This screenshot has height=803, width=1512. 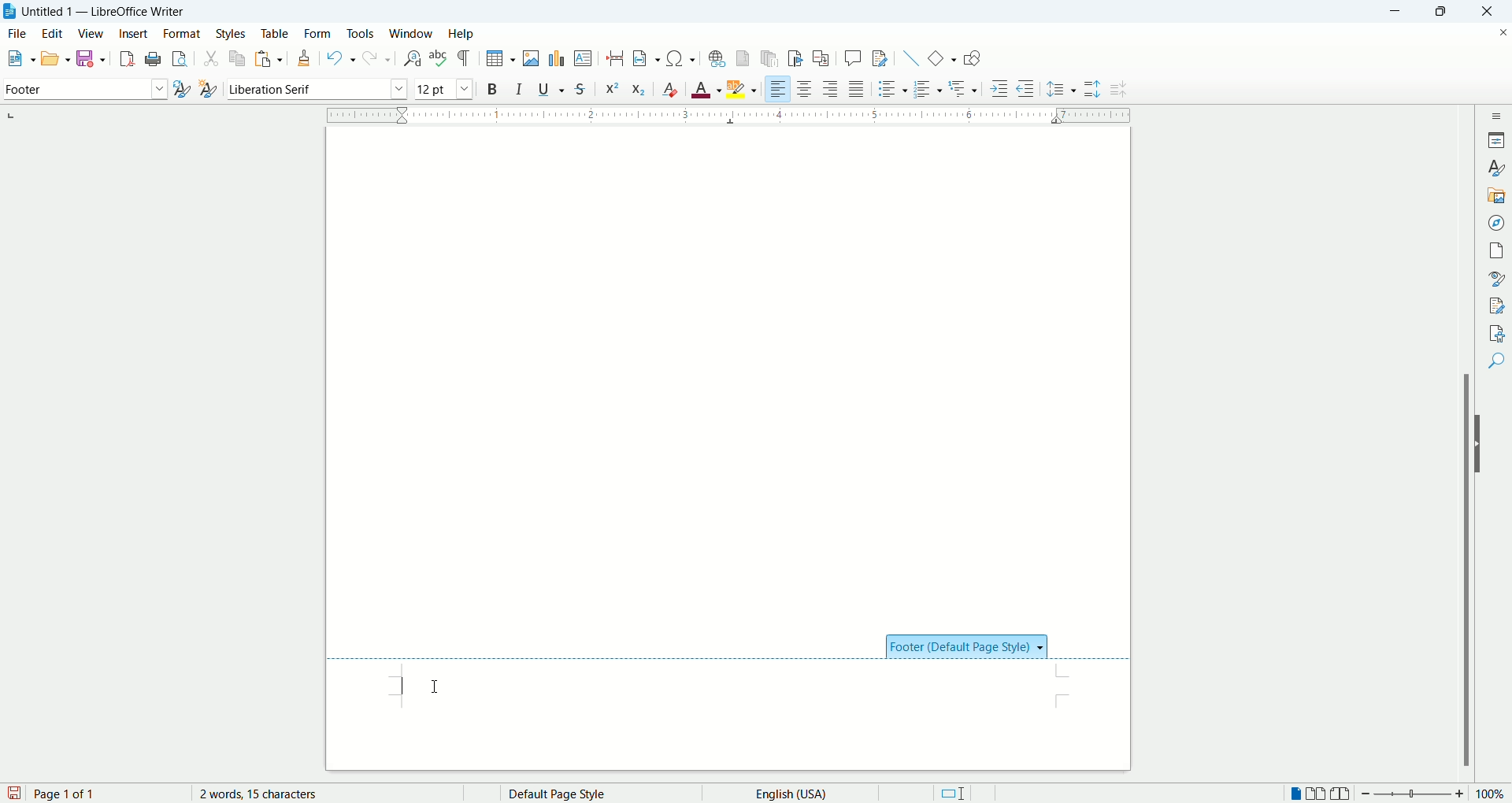 I want to click on ordered list, so click(x=929, y=90).